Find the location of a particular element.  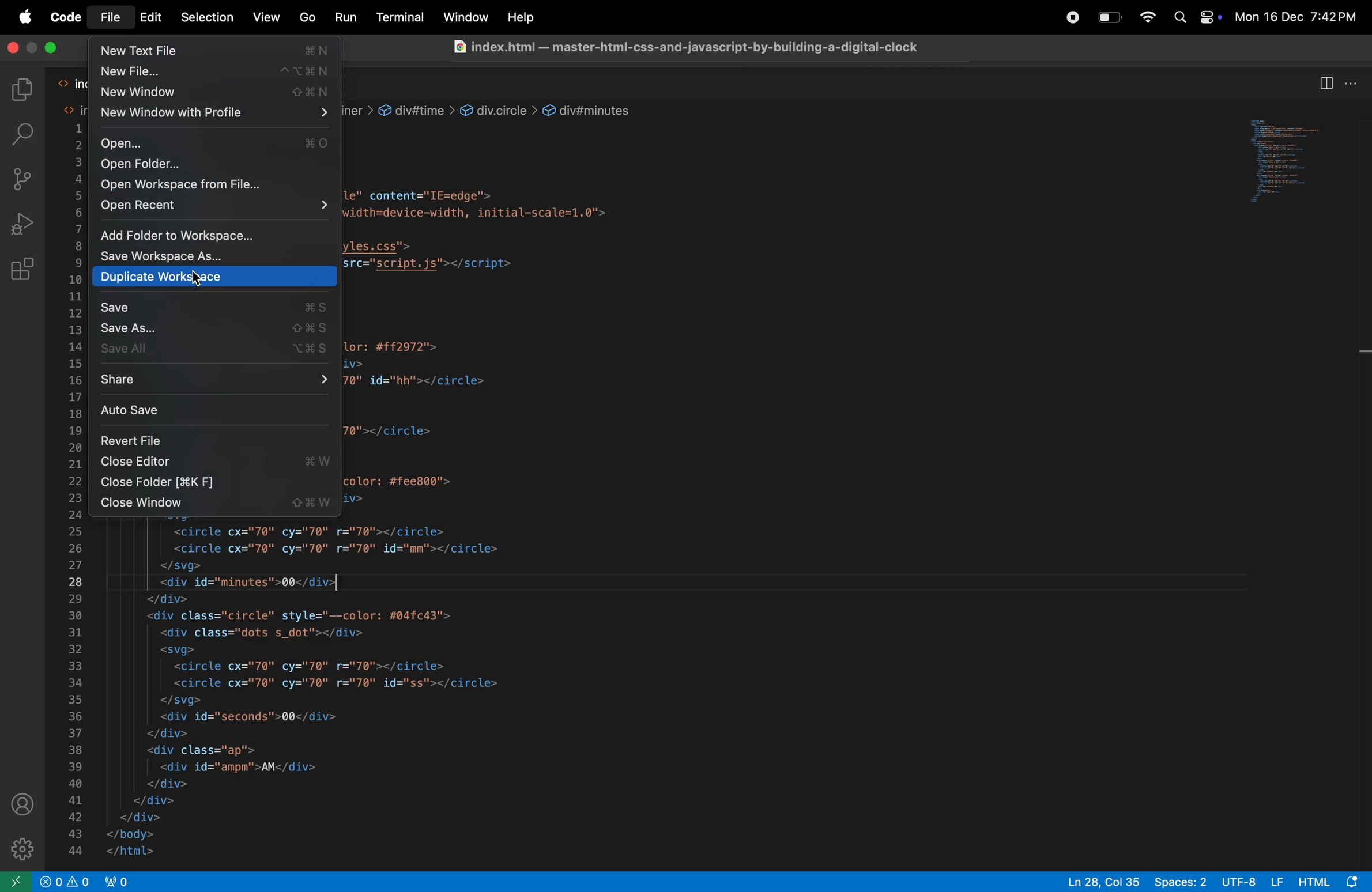

Go is located at coordinates (309, 19).